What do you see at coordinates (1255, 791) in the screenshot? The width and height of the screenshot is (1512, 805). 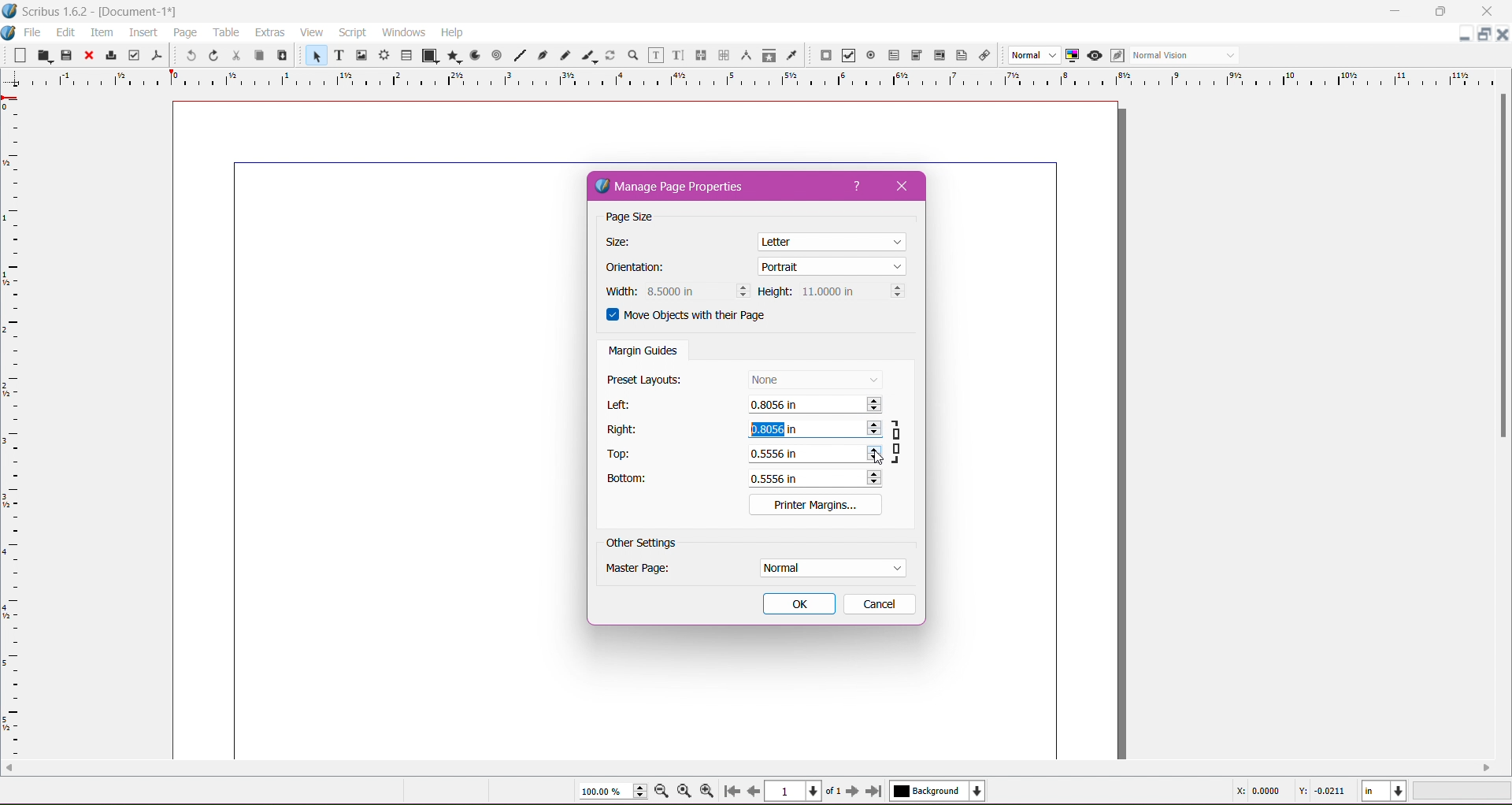 I see `Cursor Coordinate - X` at bounding box center [1255, 791].